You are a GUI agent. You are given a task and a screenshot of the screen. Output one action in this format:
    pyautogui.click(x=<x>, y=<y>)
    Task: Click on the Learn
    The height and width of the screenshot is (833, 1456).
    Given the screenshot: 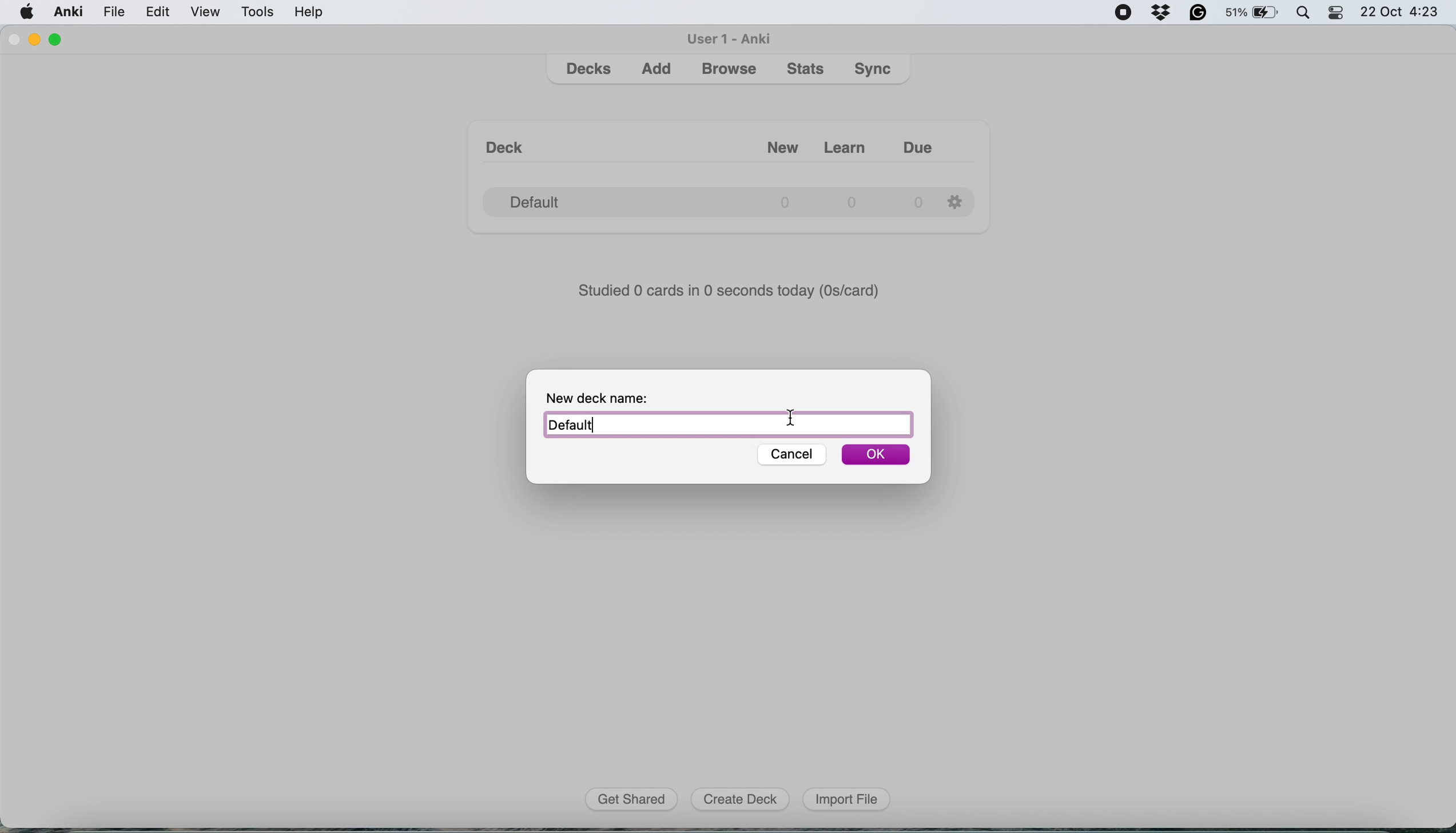 What is the action you would take?
    pyautogui.click(x=848, y=143)
    